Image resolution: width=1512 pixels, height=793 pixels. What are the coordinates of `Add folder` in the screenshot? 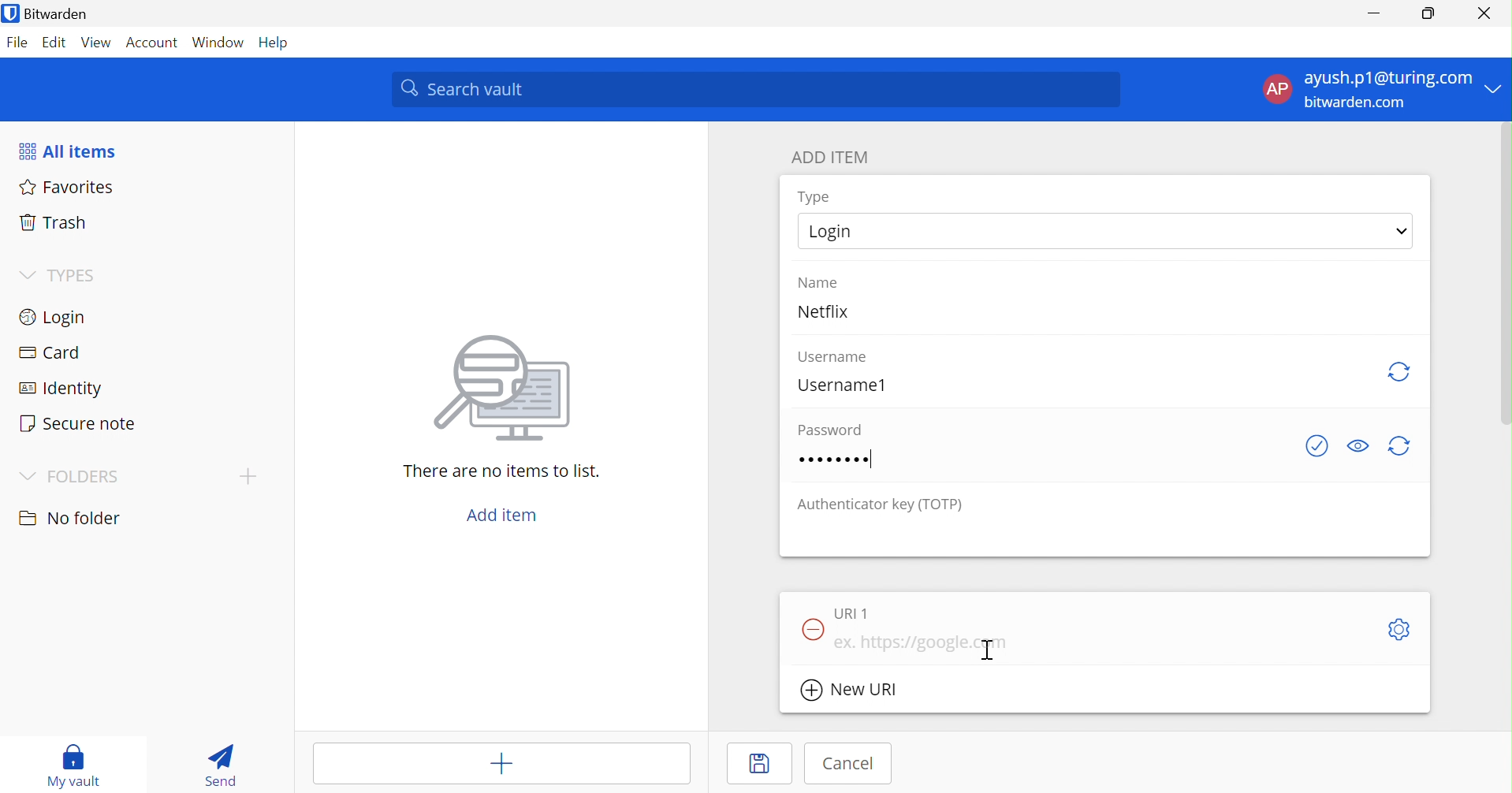 It's located at (248, 477).